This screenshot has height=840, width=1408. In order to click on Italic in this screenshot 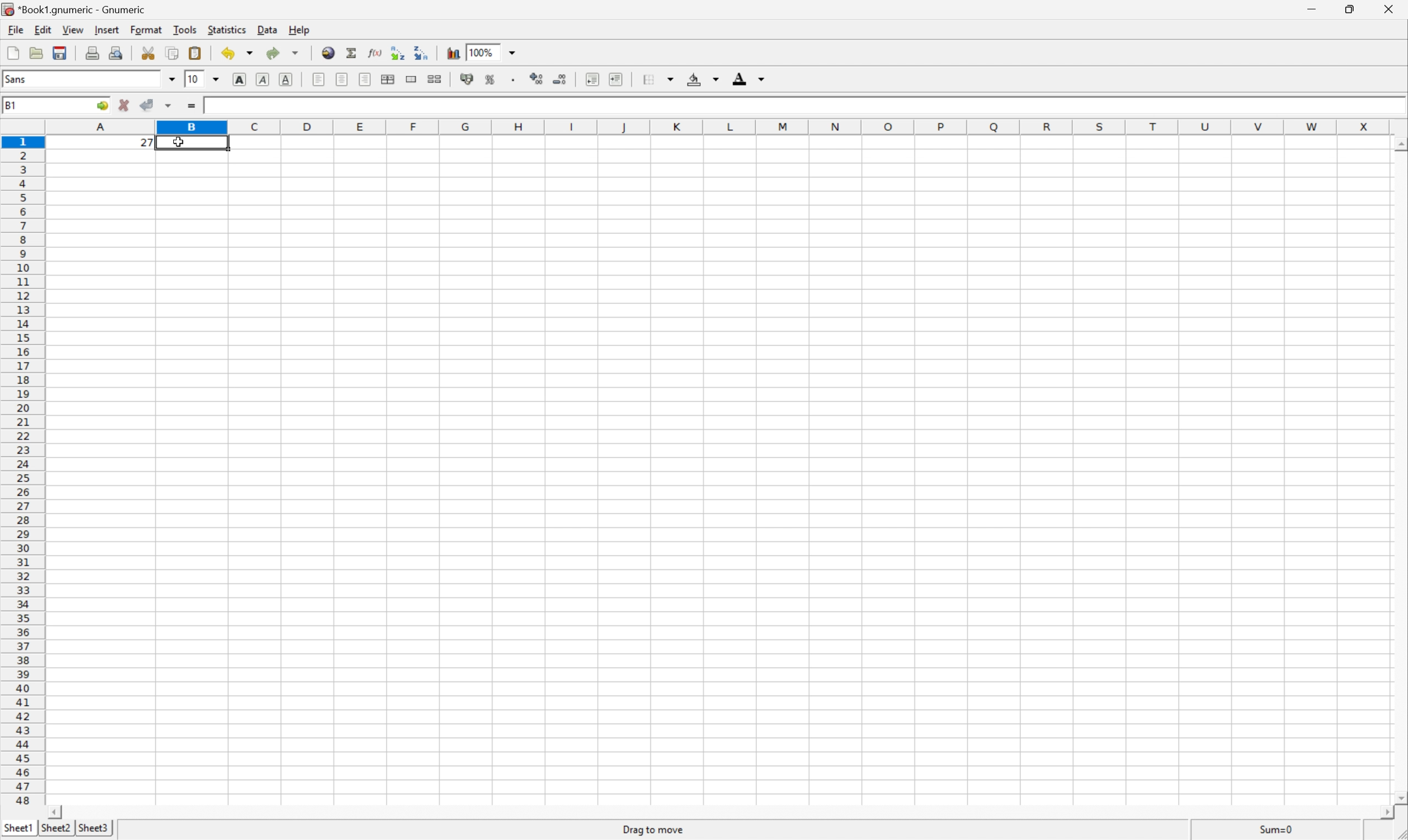, I will do `click(262, 80)`.